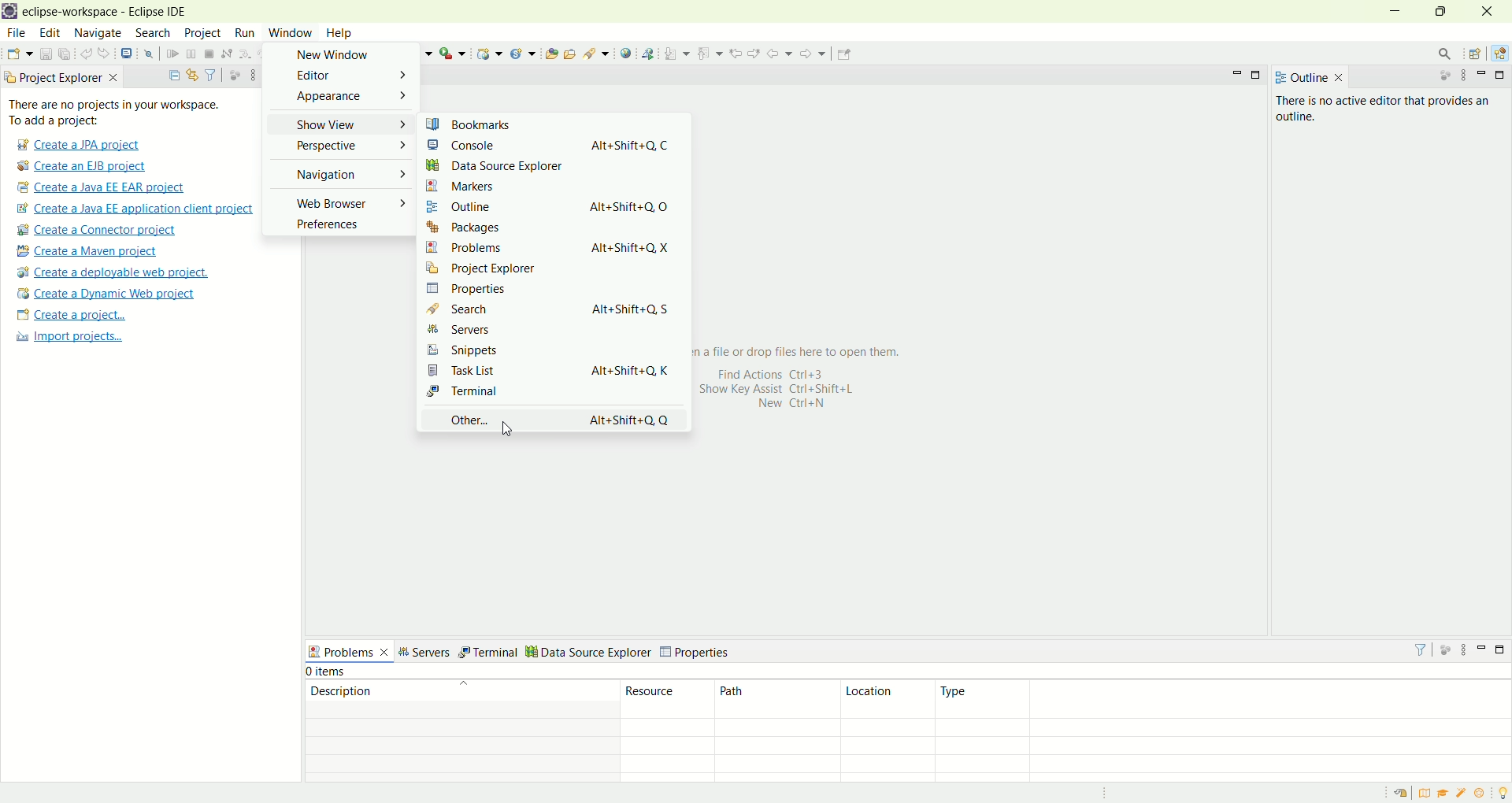 This screenshot has height=803, width=1512. What do you see at coordinates (489, 650) in the screenshot?
I see `terminal` at bounding box center [489, 650].